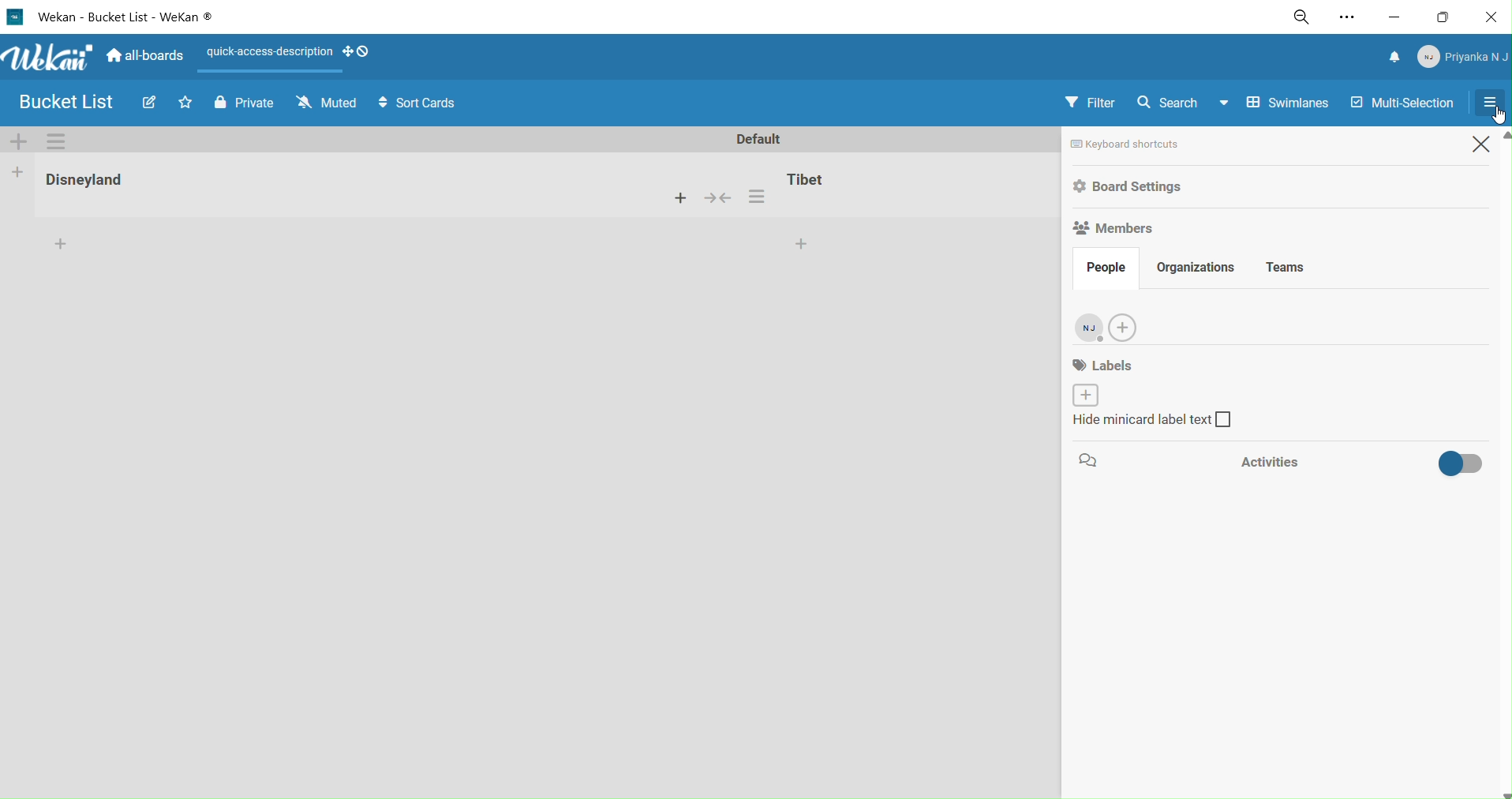  Describe the element at coordinates (1467, 144) in the screenshot. I see `close` at that location.